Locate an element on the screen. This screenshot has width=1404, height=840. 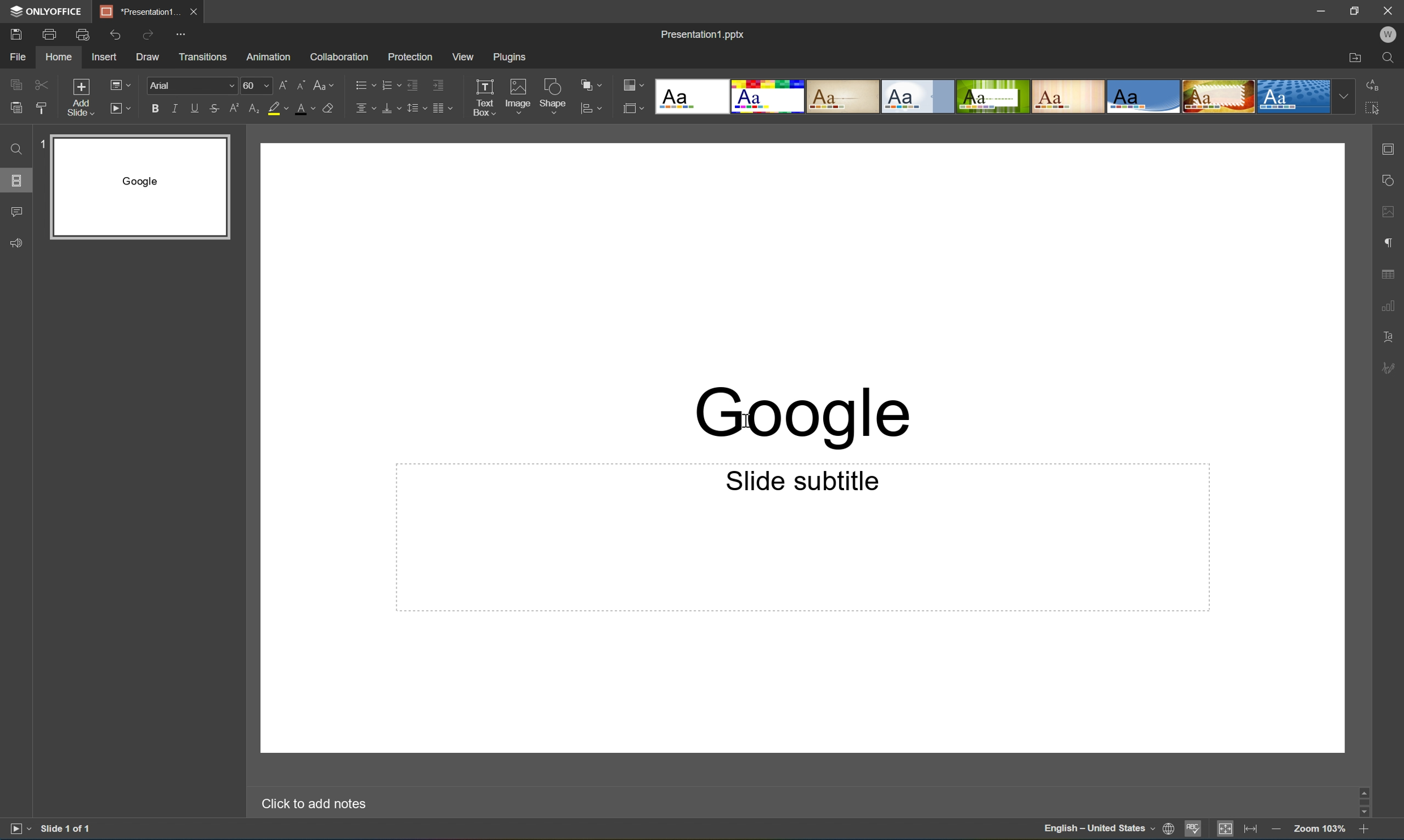
Line spacing is located at coordinates (416, 108).